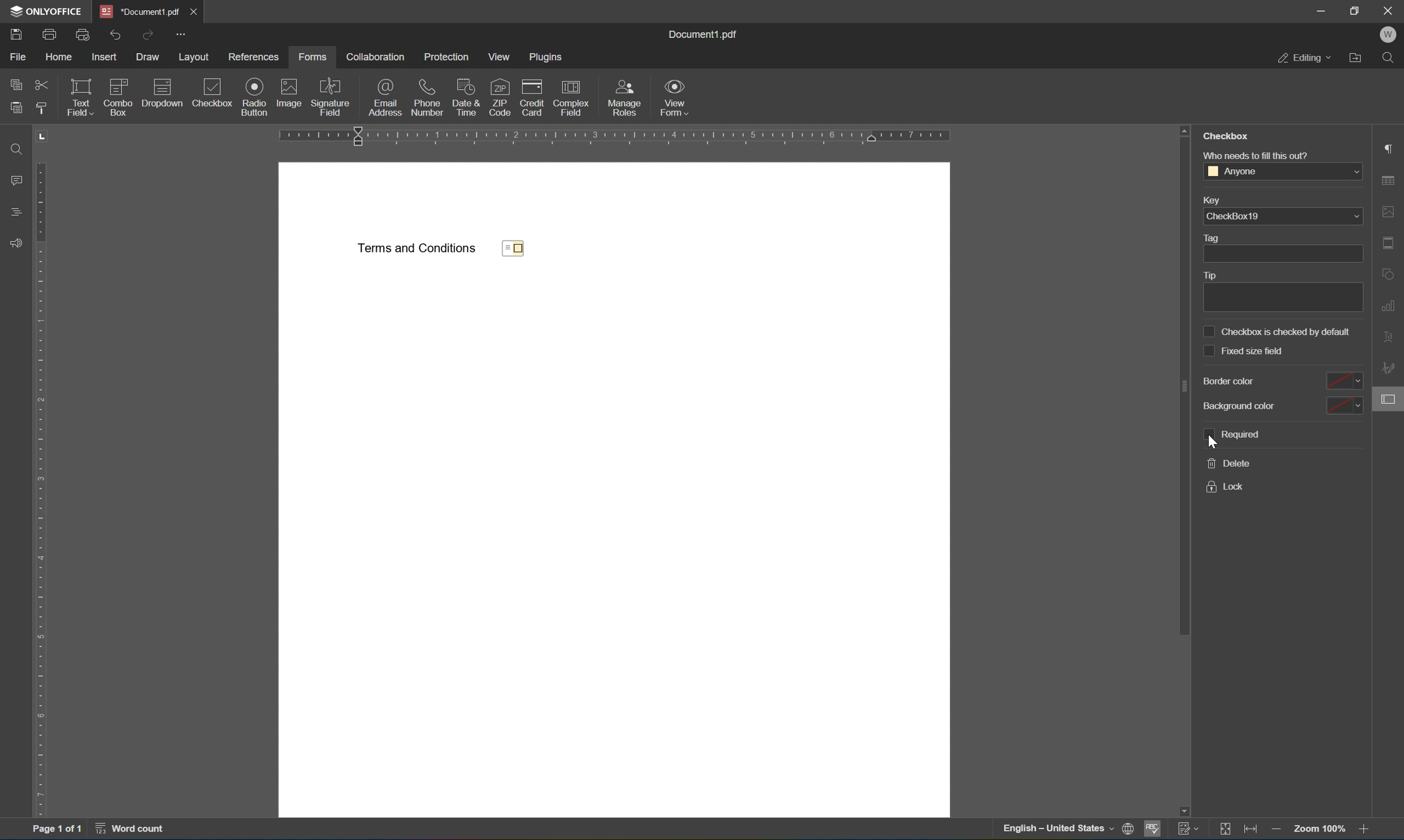  Describe the element at coordinates (314, 57) in the screenshot. I see `forms` at that location.